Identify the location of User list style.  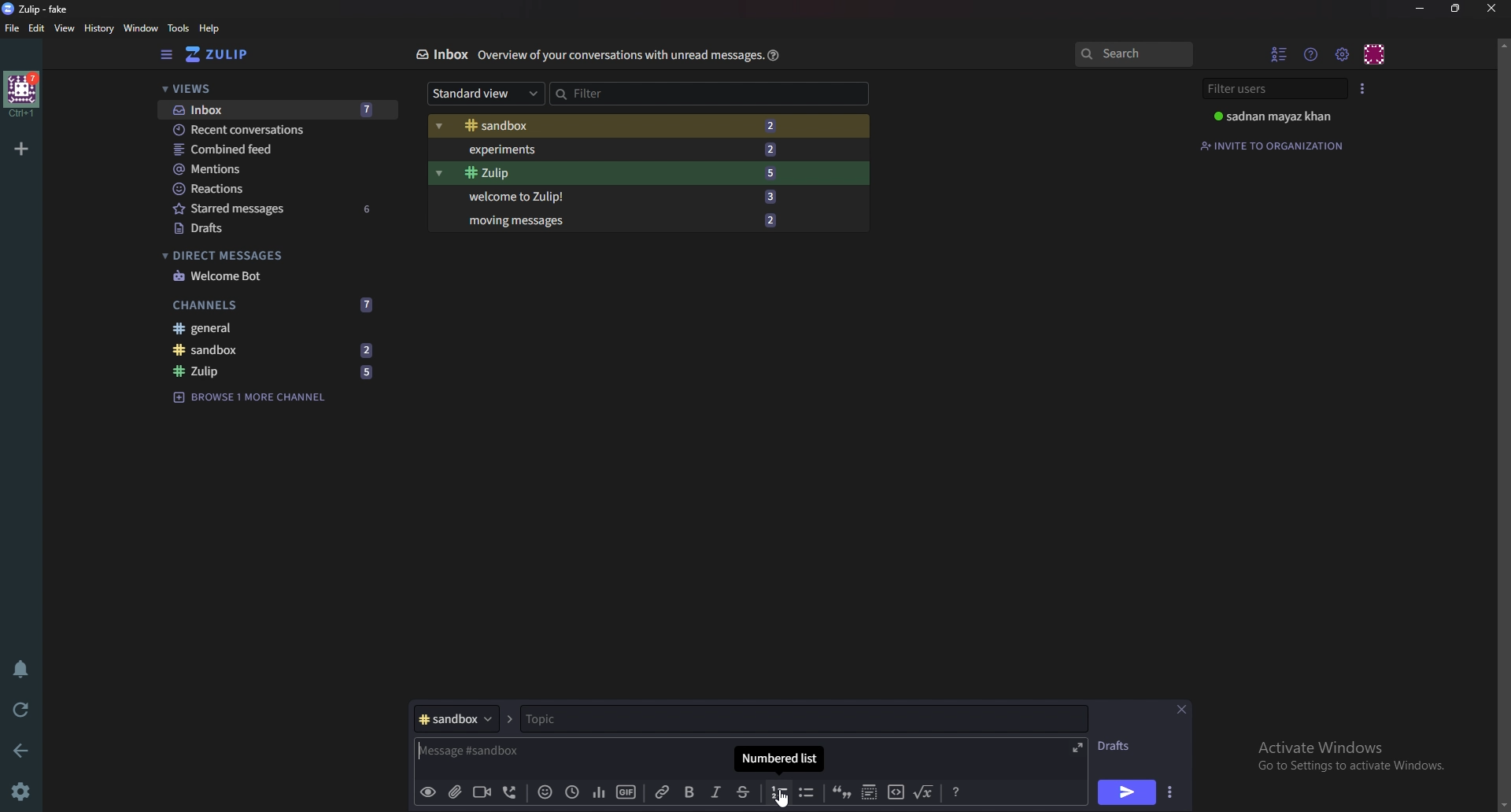
(1364, 87).